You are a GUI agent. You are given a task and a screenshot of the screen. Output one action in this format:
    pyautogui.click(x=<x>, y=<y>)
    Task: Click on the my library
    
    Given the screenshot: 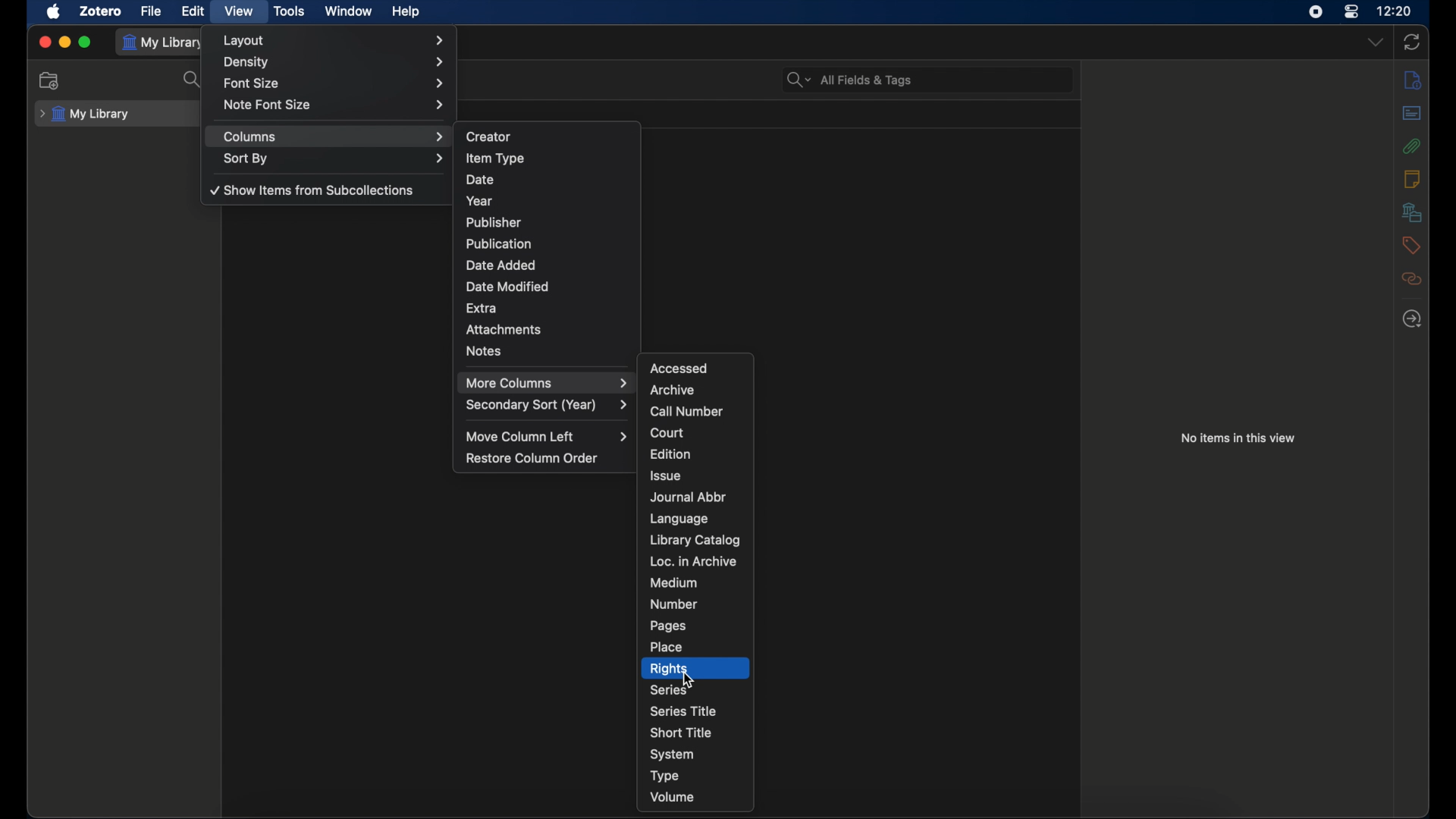 What is the action you would take?
    pyautogui.click(x=83, y=115)
    